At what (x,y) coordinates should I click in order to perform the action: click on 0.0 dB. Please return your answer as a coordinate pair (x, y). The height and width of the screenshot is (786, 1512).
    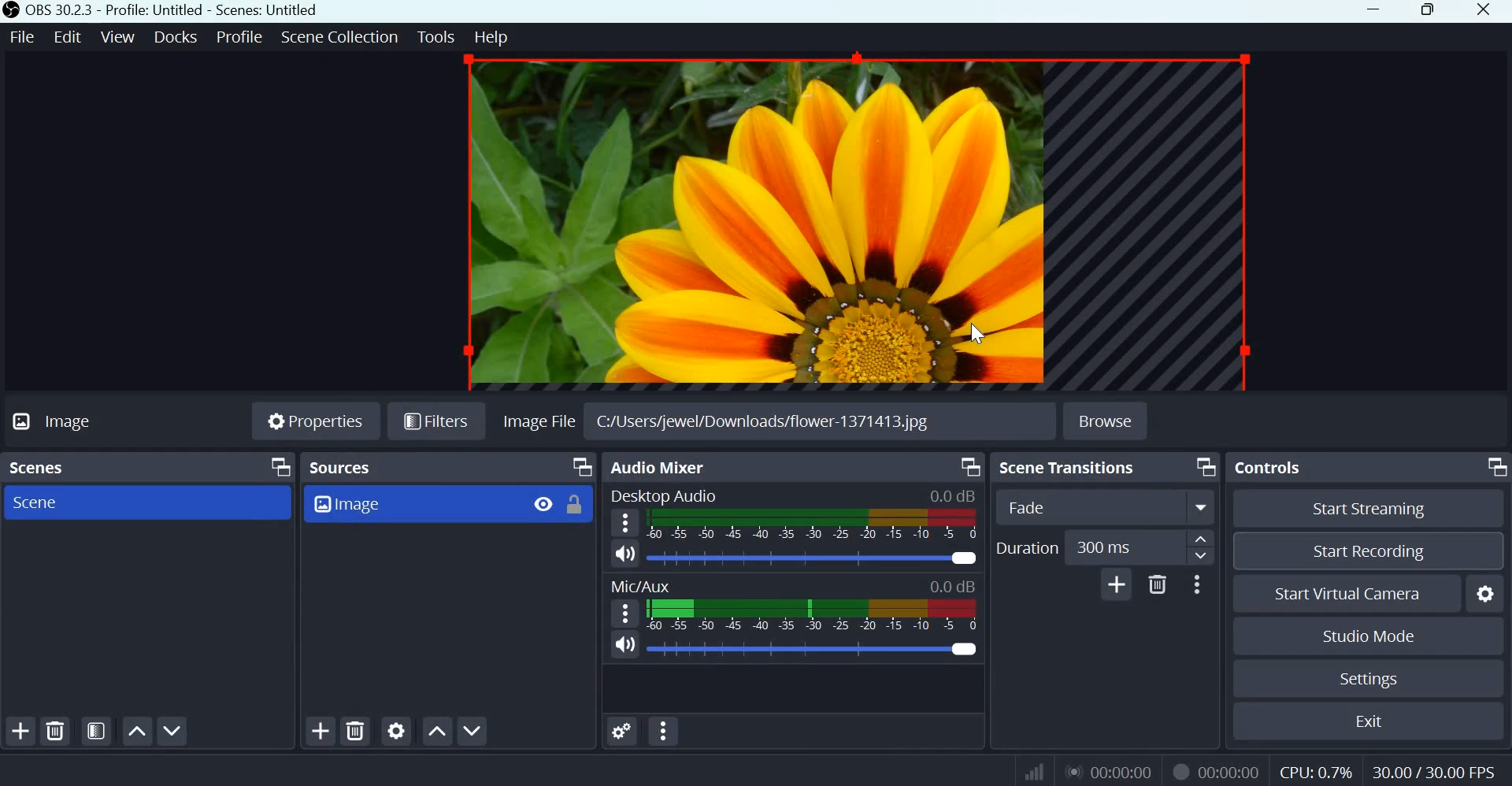
    Looking at the image, I should click on (951, 495).